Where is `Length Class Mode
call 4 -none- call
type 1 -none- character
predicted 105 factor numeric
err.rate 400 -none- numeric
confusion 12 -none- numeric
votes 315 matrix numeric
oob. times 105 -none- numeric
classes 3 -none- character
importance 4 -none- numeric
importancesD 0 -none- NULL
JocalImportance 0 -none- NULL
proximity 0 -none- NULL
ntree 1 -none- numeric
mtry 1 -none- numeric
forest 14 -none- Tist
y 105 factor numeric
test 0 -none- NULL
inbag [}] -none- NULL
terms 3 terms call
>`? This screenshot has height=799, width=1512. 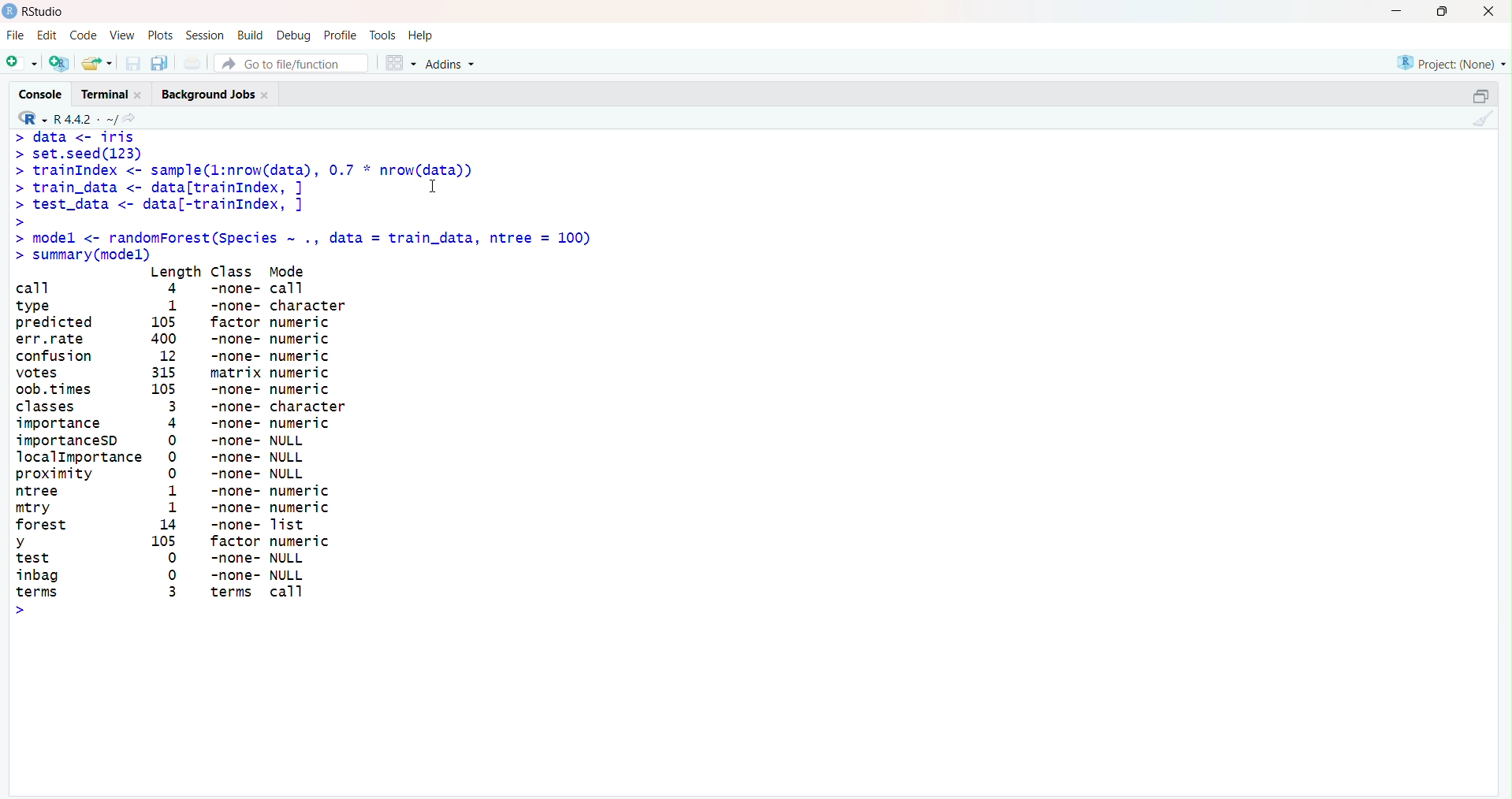 Length Class Mode
call 4 -none- call
type 1 -none- character
predicted 105 factor numeric
err.rate 400 -none- numeric
confusion 12 -none- numeric
votes 315 matrix numeric
oob. times 105 -none- numeric
classes 3 -none- character
importance 4 -none- numeric
importancesD 0 -none- NULL
JocalImportance 0 -none- NULL
proximity 0 -none- NULL
ntree 1 -none- numeric
mtry 1 -none- numeric
forest 14 -none- Tist
y 105 factor numeric
test 0 -none- NULL
inbag [}] -none- NULL
terms 3 terms call
> is located at coordinates (199, 440).